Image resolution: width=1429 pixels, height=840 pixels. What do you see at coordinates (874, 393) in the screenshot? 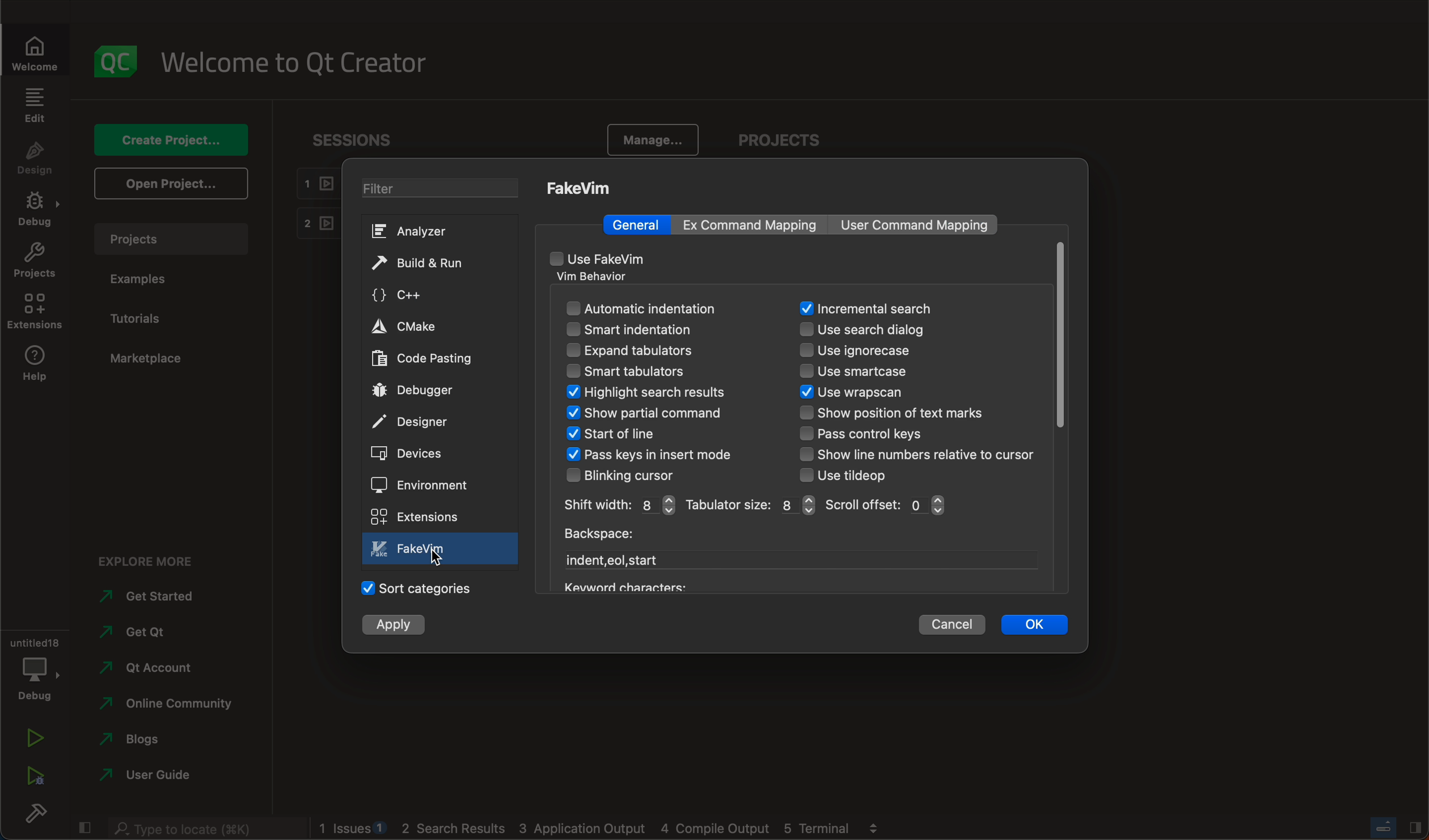
I see `wrapscan` at bounding box center [874, 393].